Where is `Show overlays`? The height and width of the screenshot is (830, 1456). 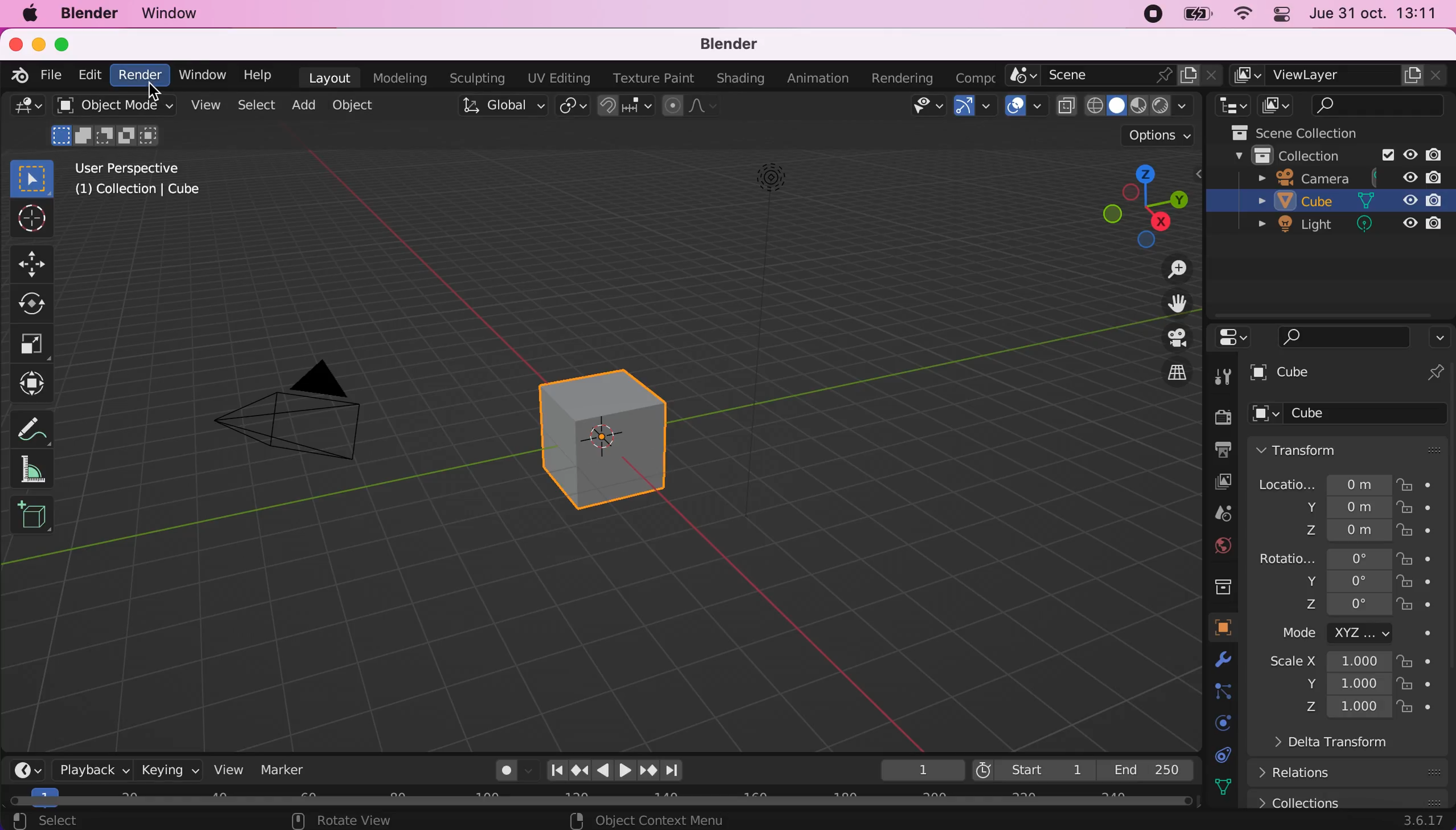 Show overlays is located at coordinates (1026, 108).